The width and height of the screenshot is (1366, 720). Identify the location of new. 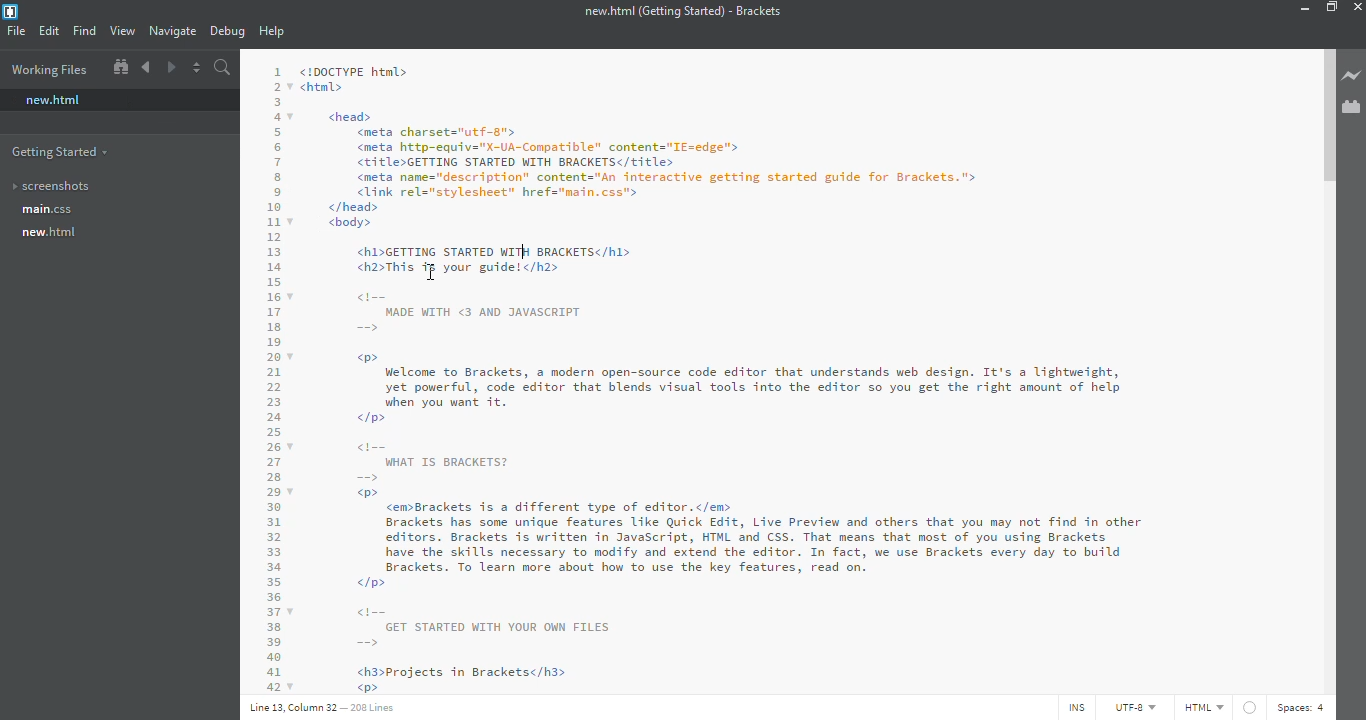
(53, 232).